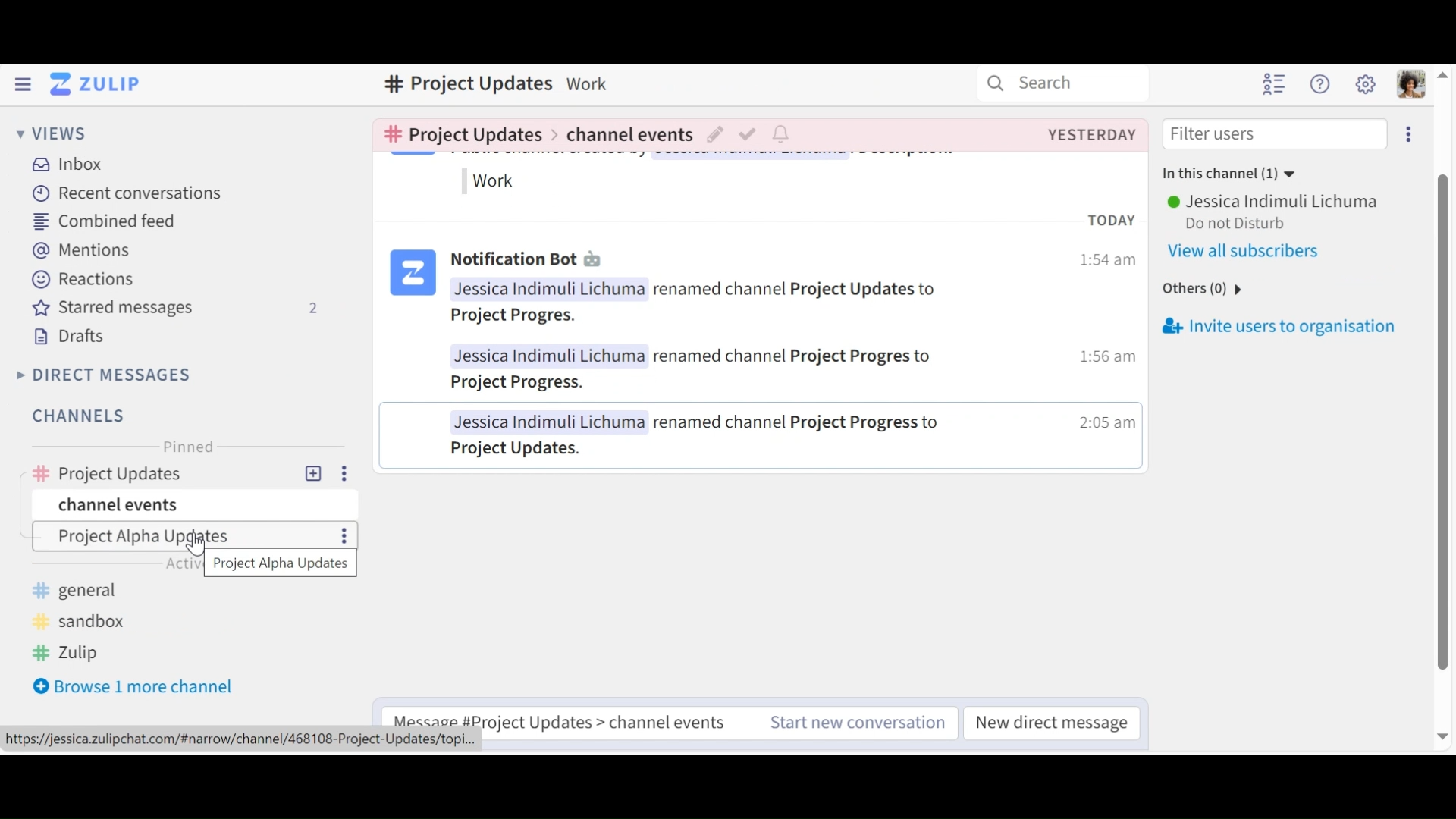  I want to click on Description, so click(588, 82).